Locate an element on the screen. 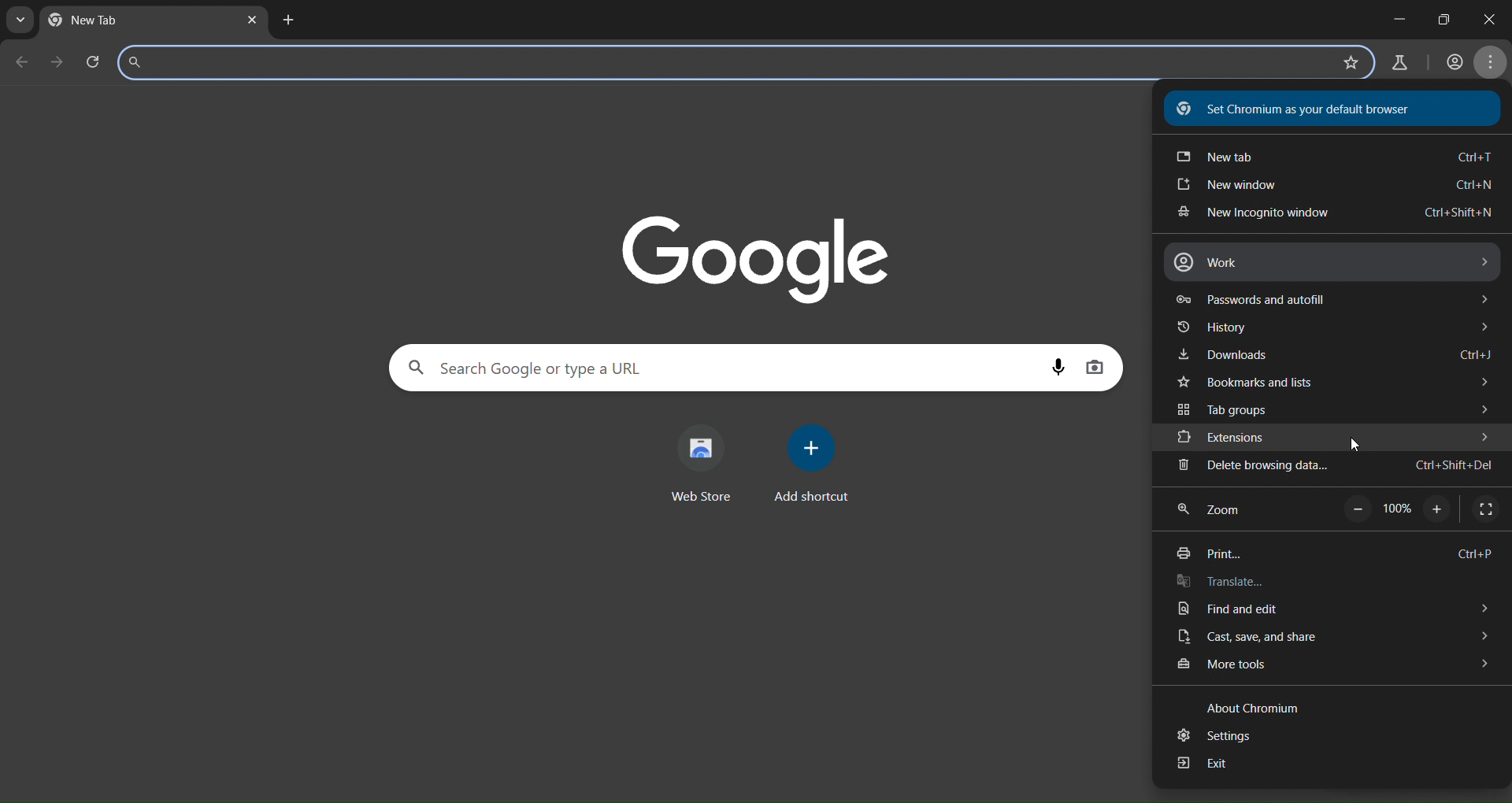 This screenshot has height=803, width=1512. extensions is located at coordinates (1332, 437).